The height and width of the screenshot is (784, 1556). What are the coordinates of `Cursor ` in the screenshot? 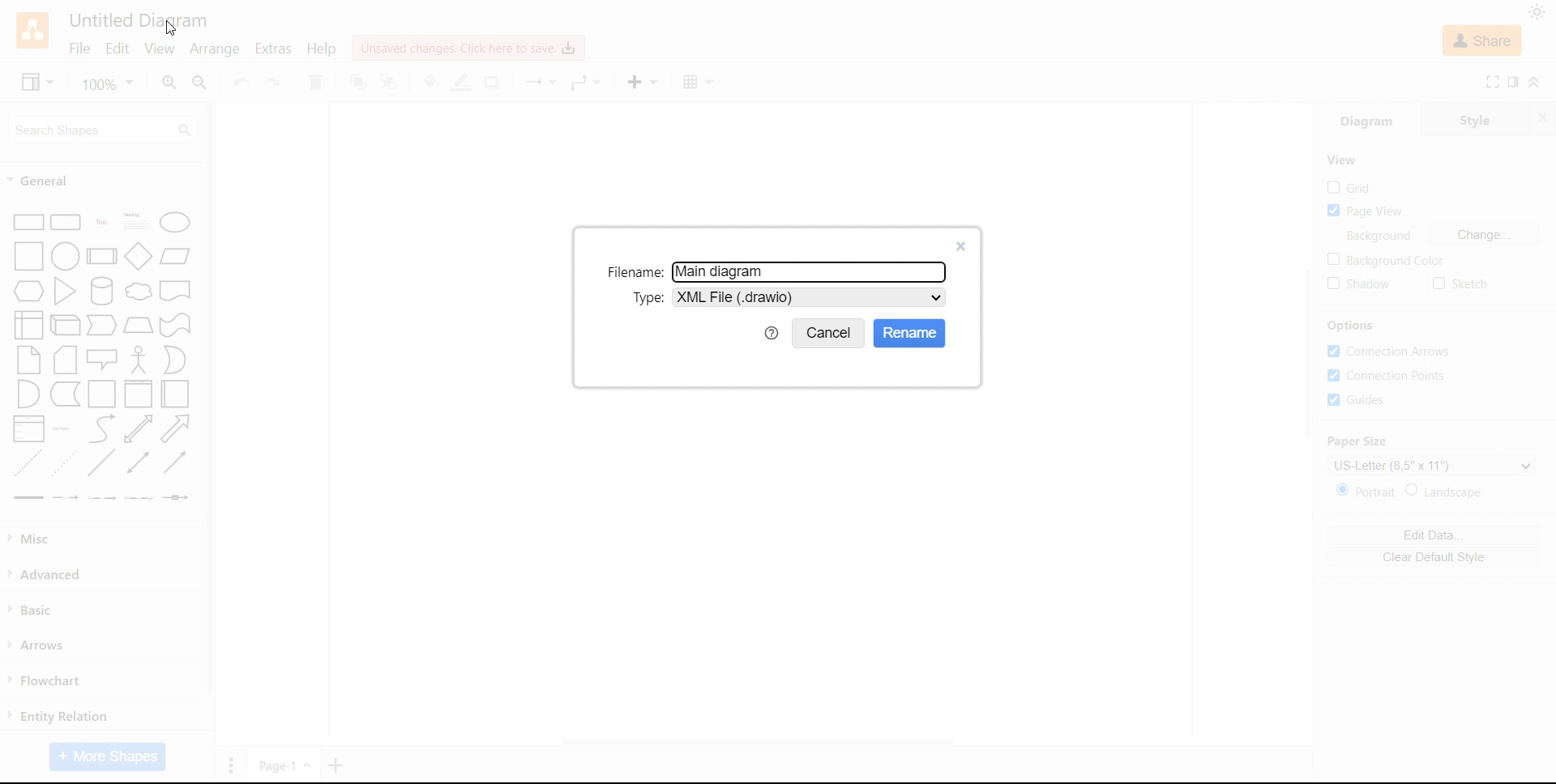 It's located at (170, 29).